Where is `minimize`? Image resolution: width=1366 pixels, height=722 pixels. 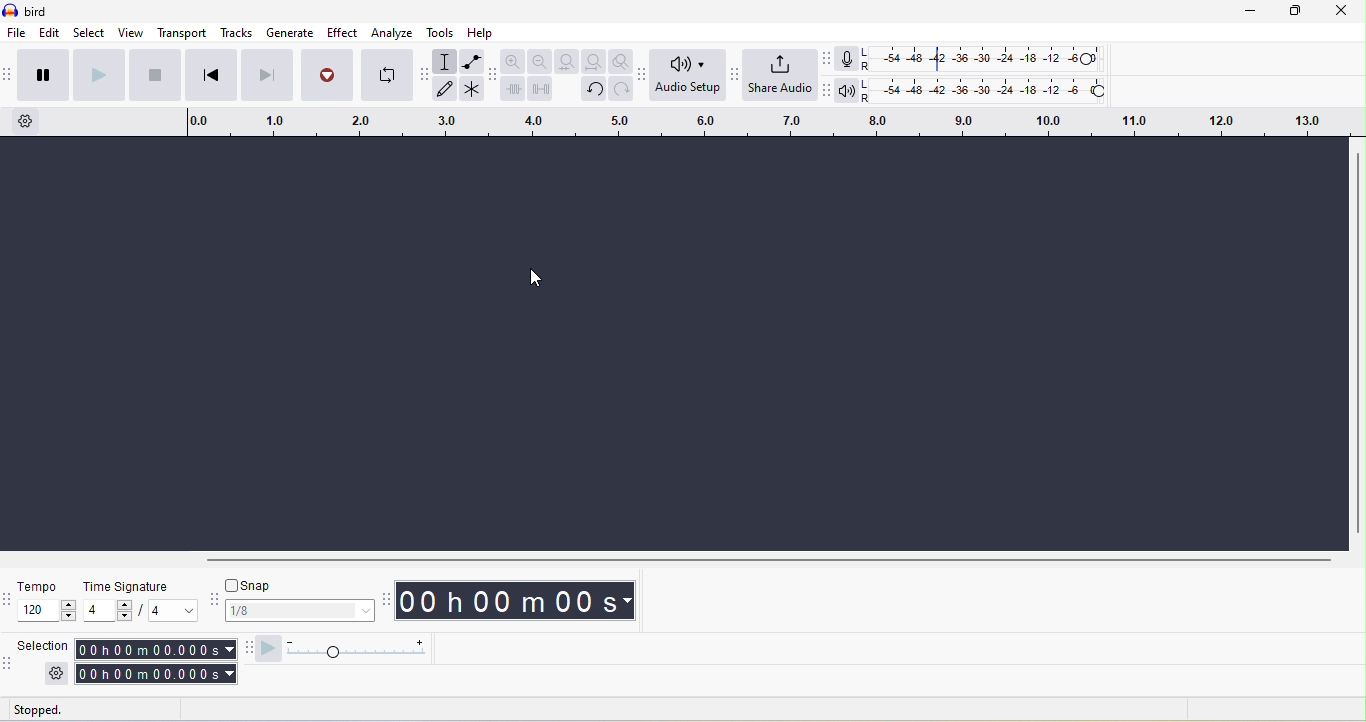
minimize is located at coordinates (1251, 14).